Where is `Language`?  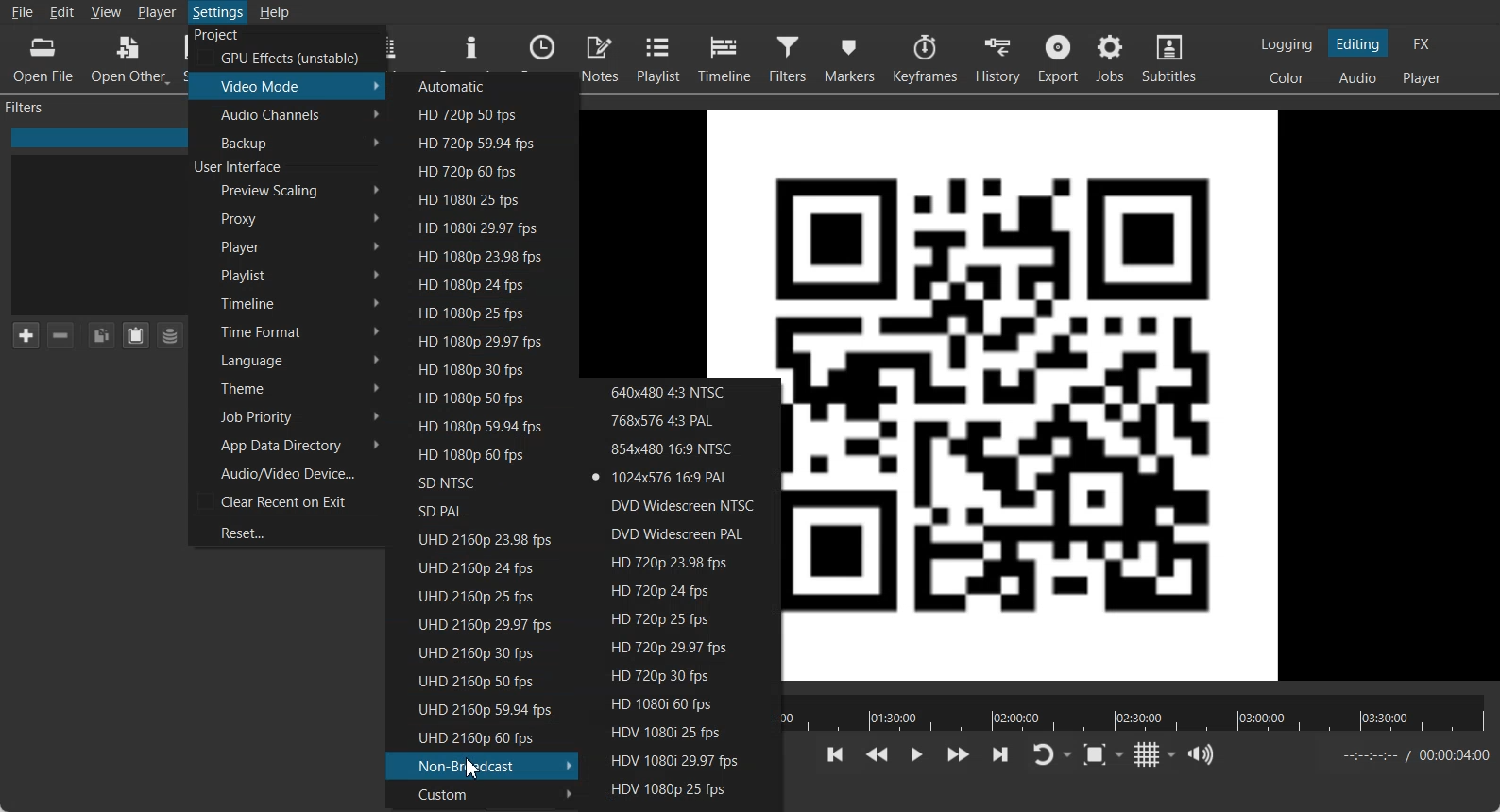 Language is located at coordinates (286, 359).